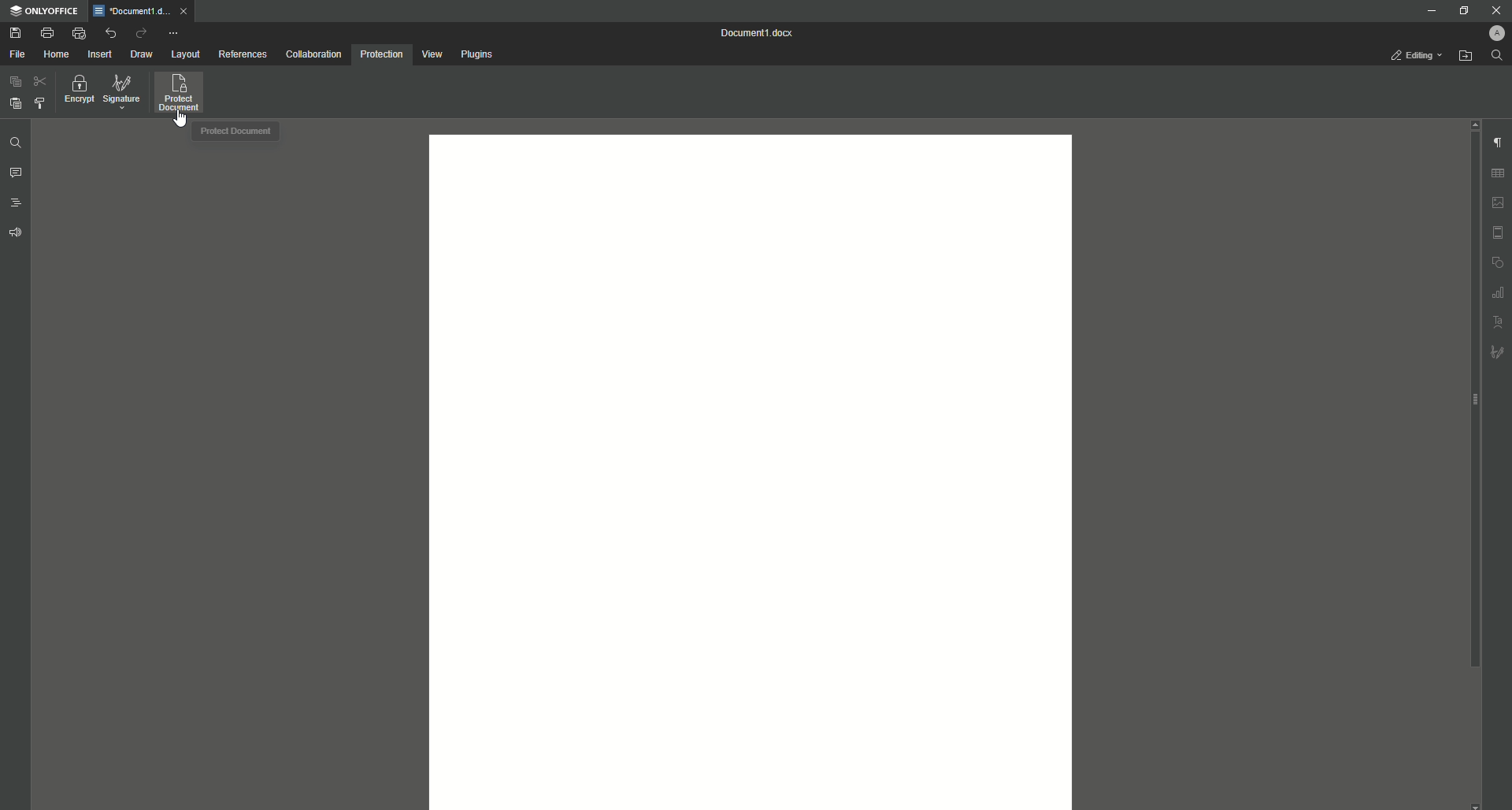 This screenshot has width=1512, height=810. I want to click on Shape settings, so click(1499, 263).